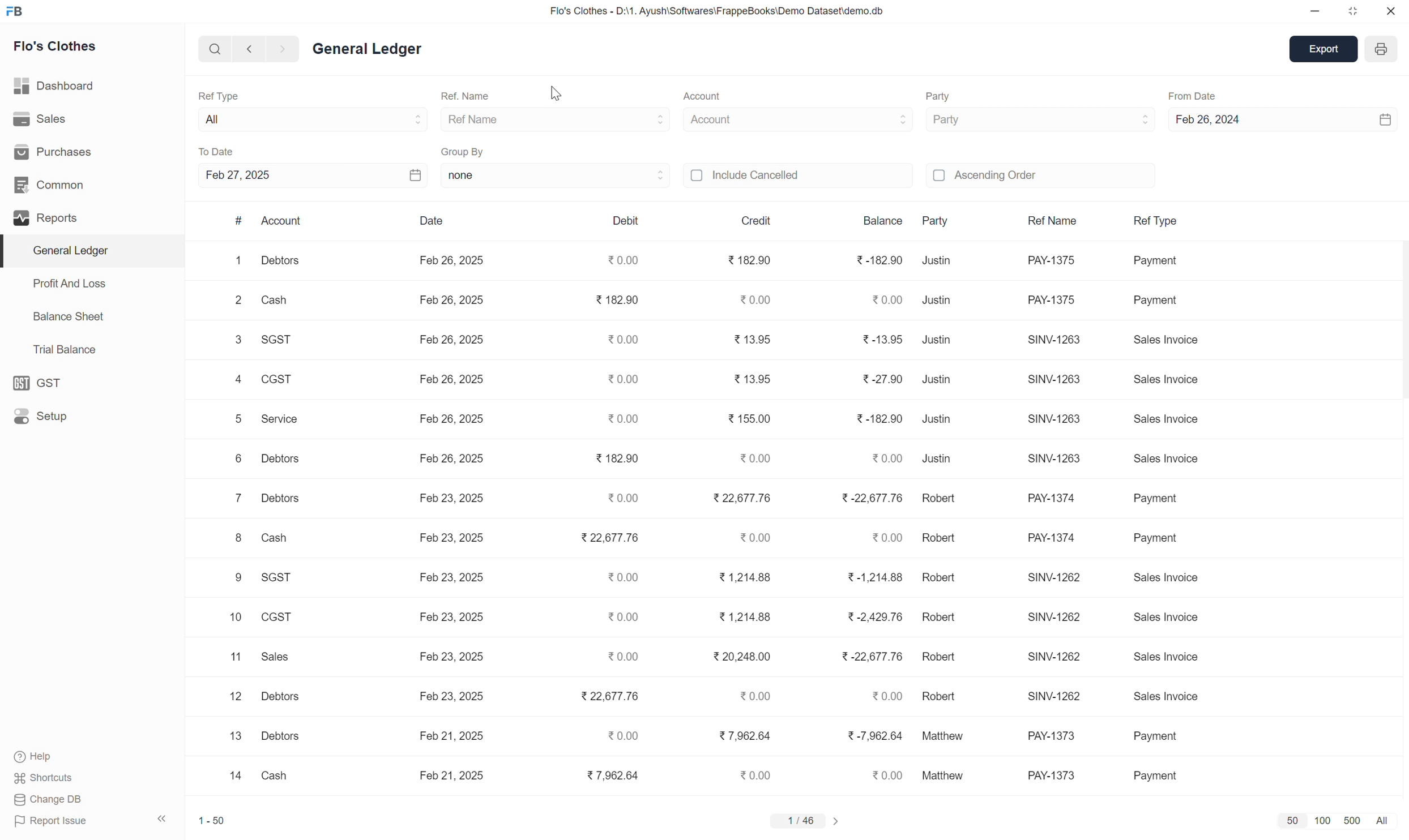 The width and height of the screenshot is (1409, 840). I want to click on export, so click(1324, 49).